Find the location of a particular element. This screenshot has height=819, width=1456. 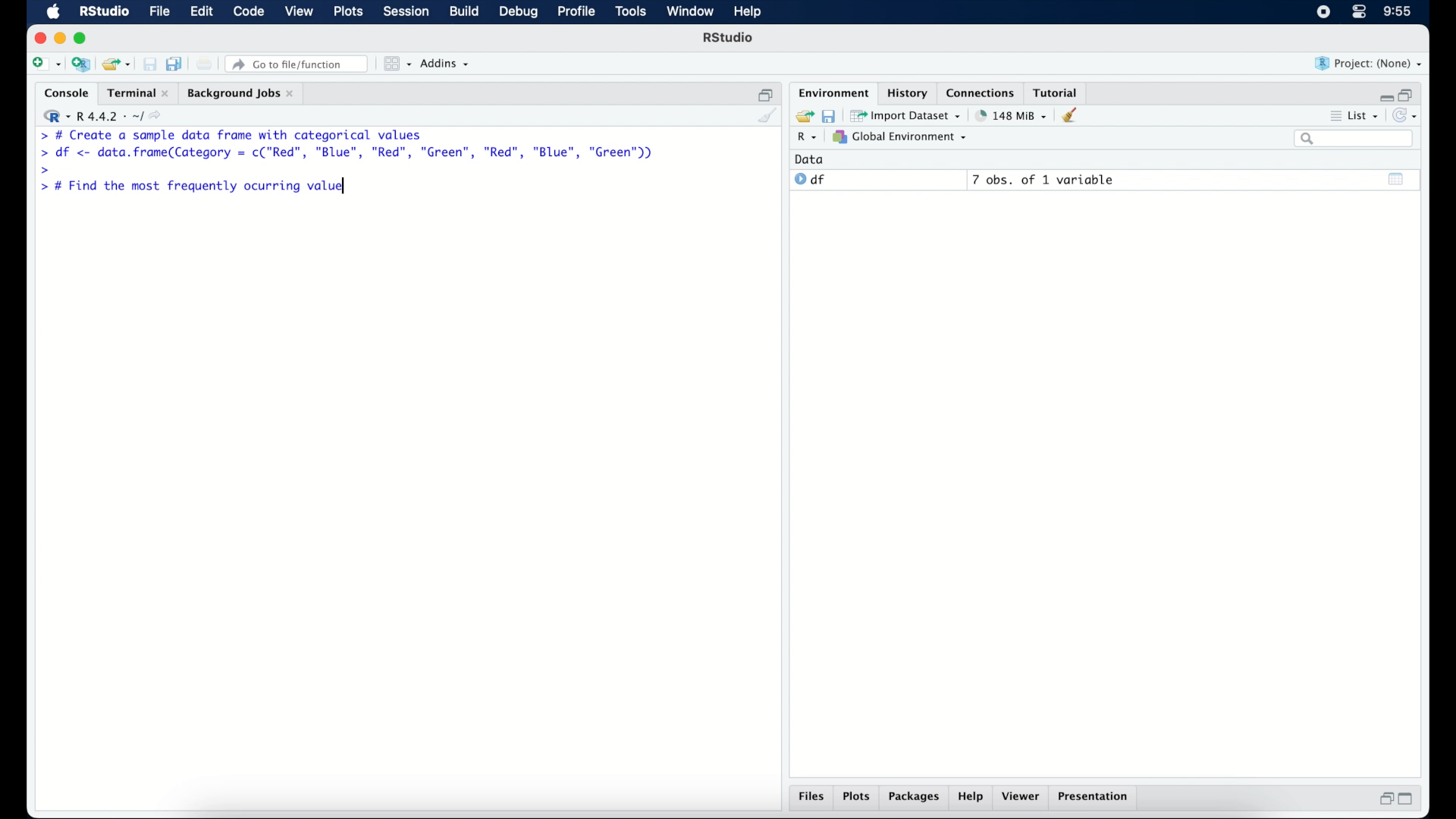

debug is located at coordinates (517, 13).